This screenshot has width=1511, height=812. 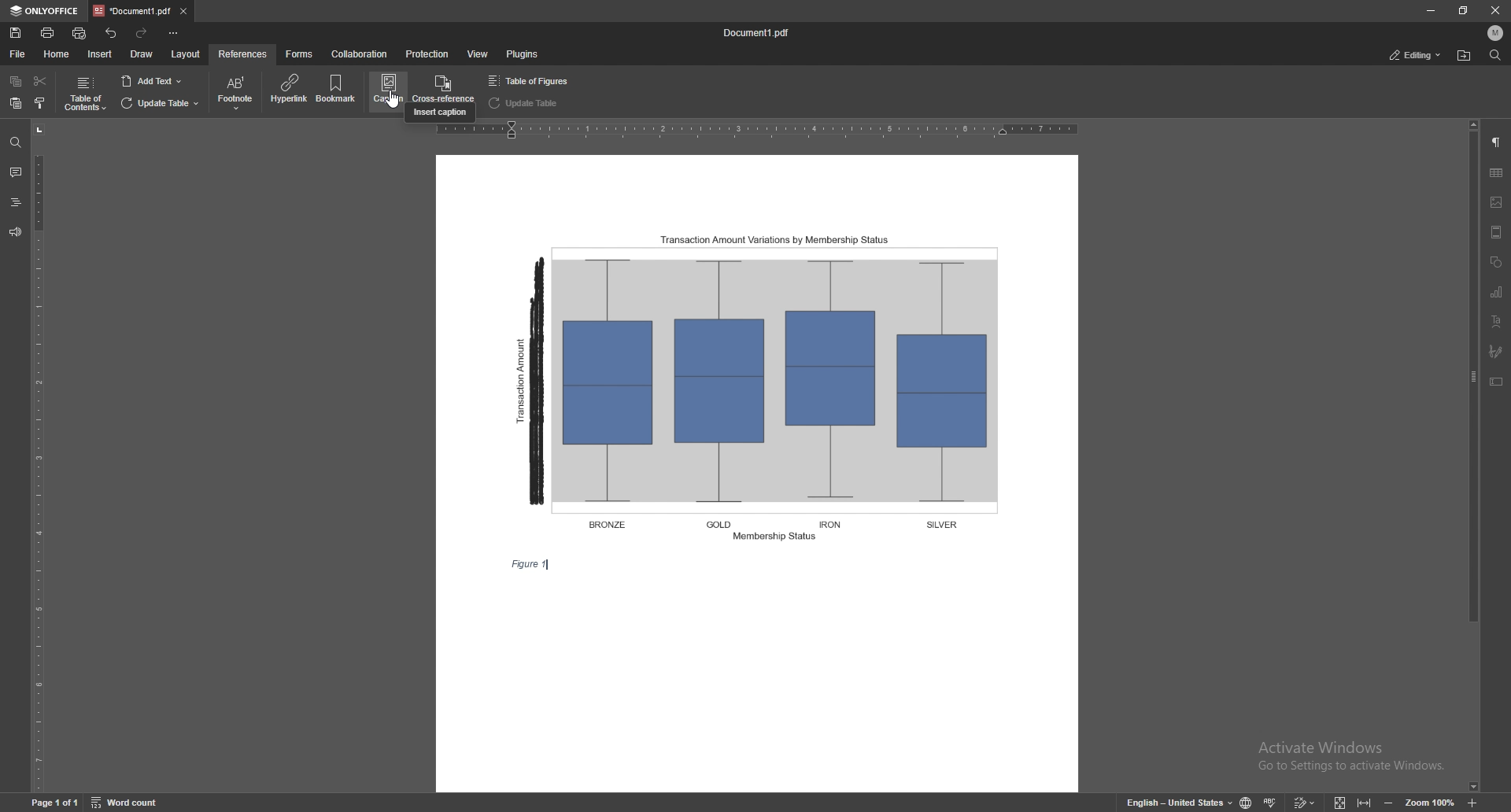 I want to click on page, so click(x=54, y=801).